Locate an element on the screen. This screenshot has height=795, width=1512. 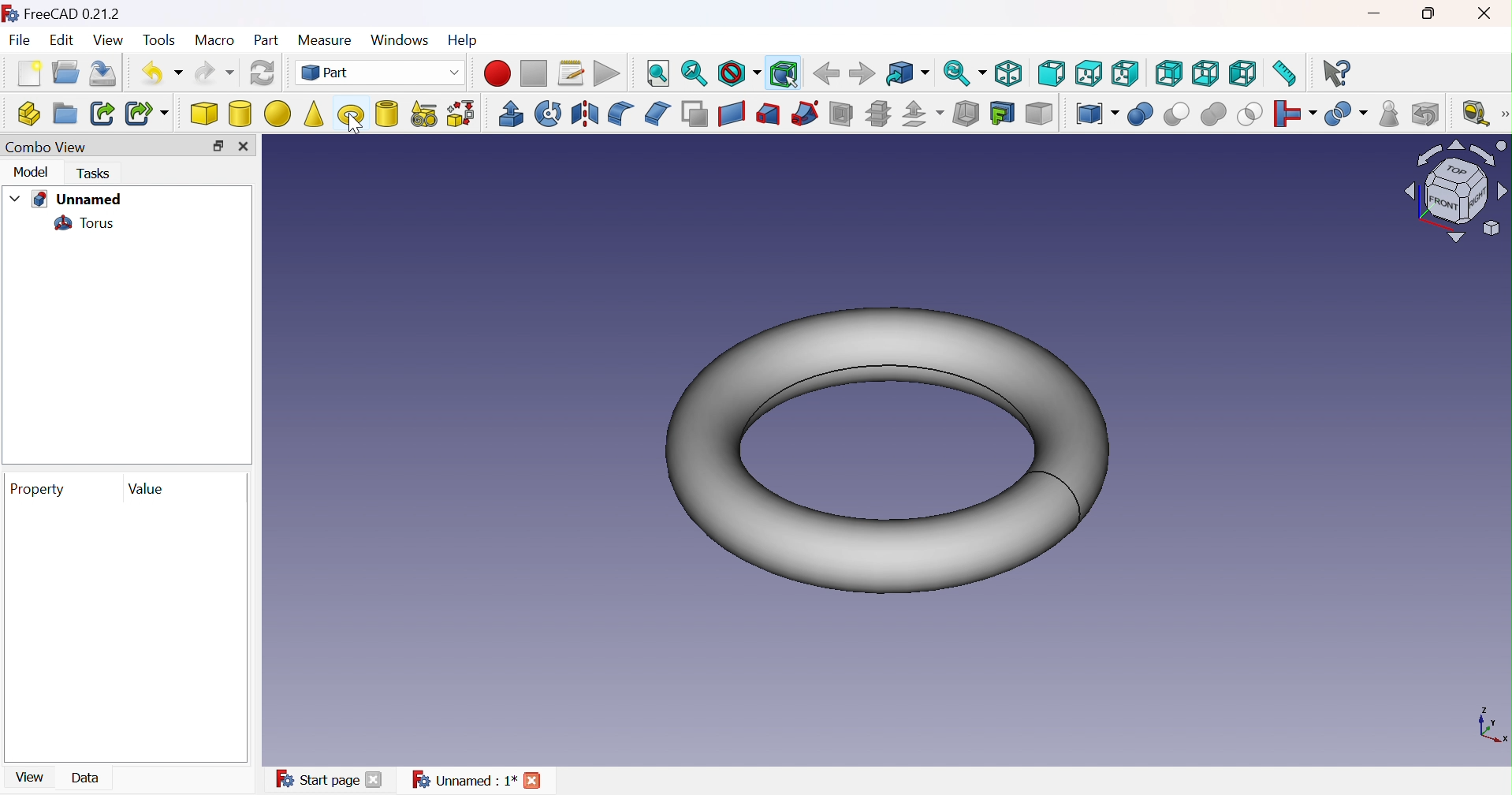
New is located at coordinates (29, 72).